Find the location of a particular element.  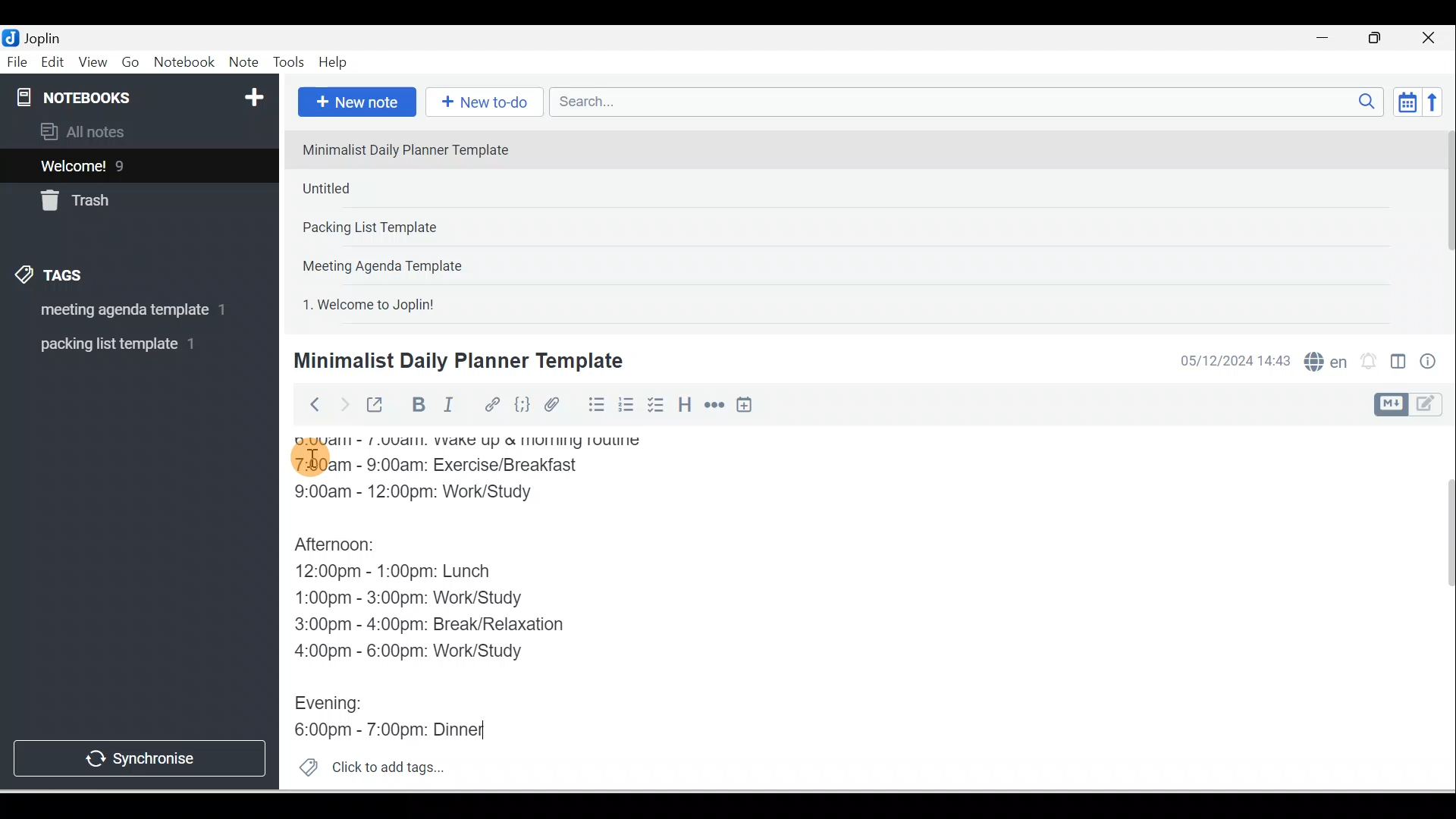

Scroll bar is located at coordinates (1439, 608).